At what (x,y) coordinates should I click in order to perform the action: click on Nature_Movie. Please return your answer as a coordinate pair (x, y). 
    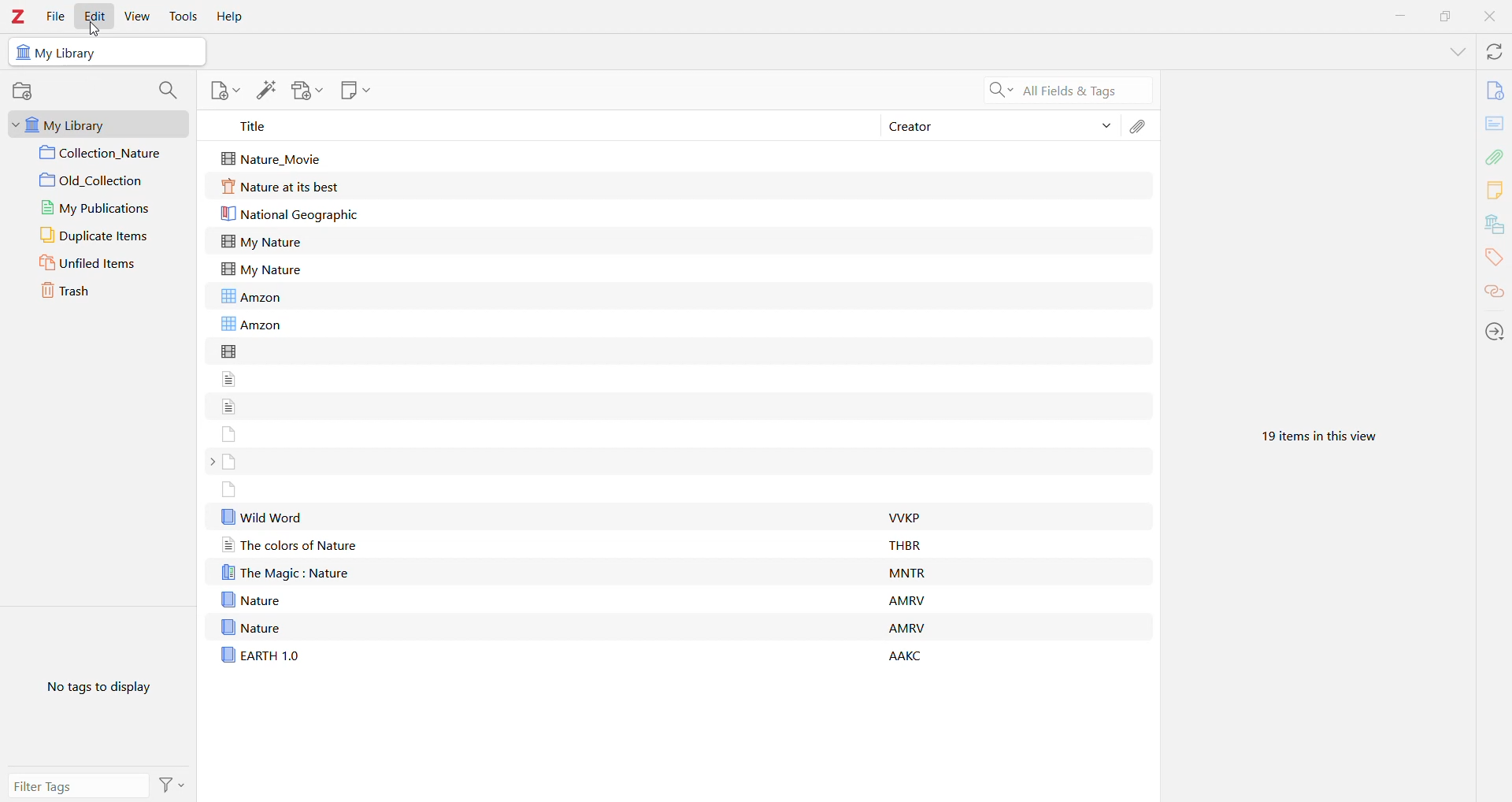
    Looking at the image, I should click on (276, 157).